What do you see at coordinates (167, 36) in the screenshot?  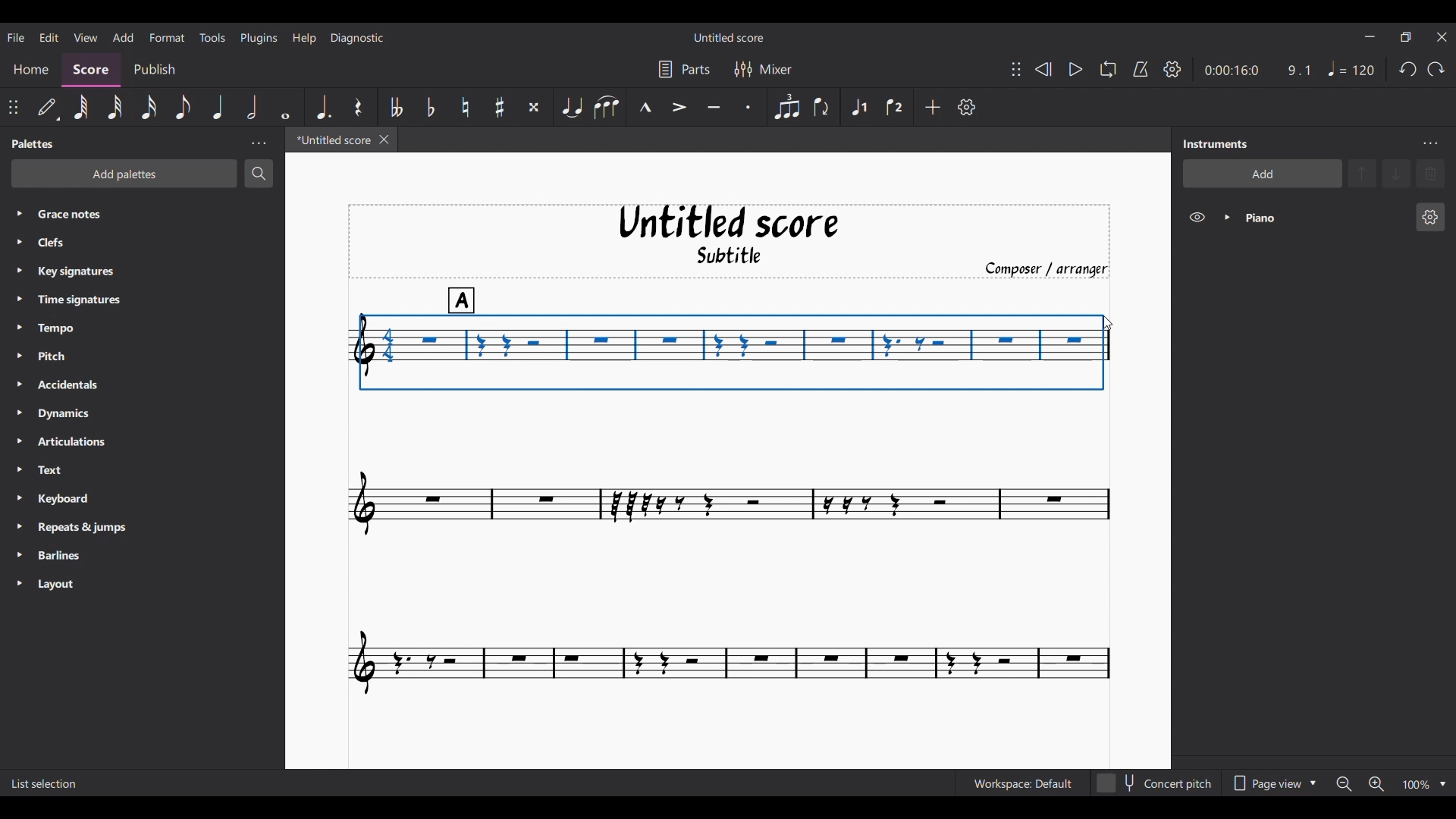 I see `Format menu` at bounding box center [167, 36].